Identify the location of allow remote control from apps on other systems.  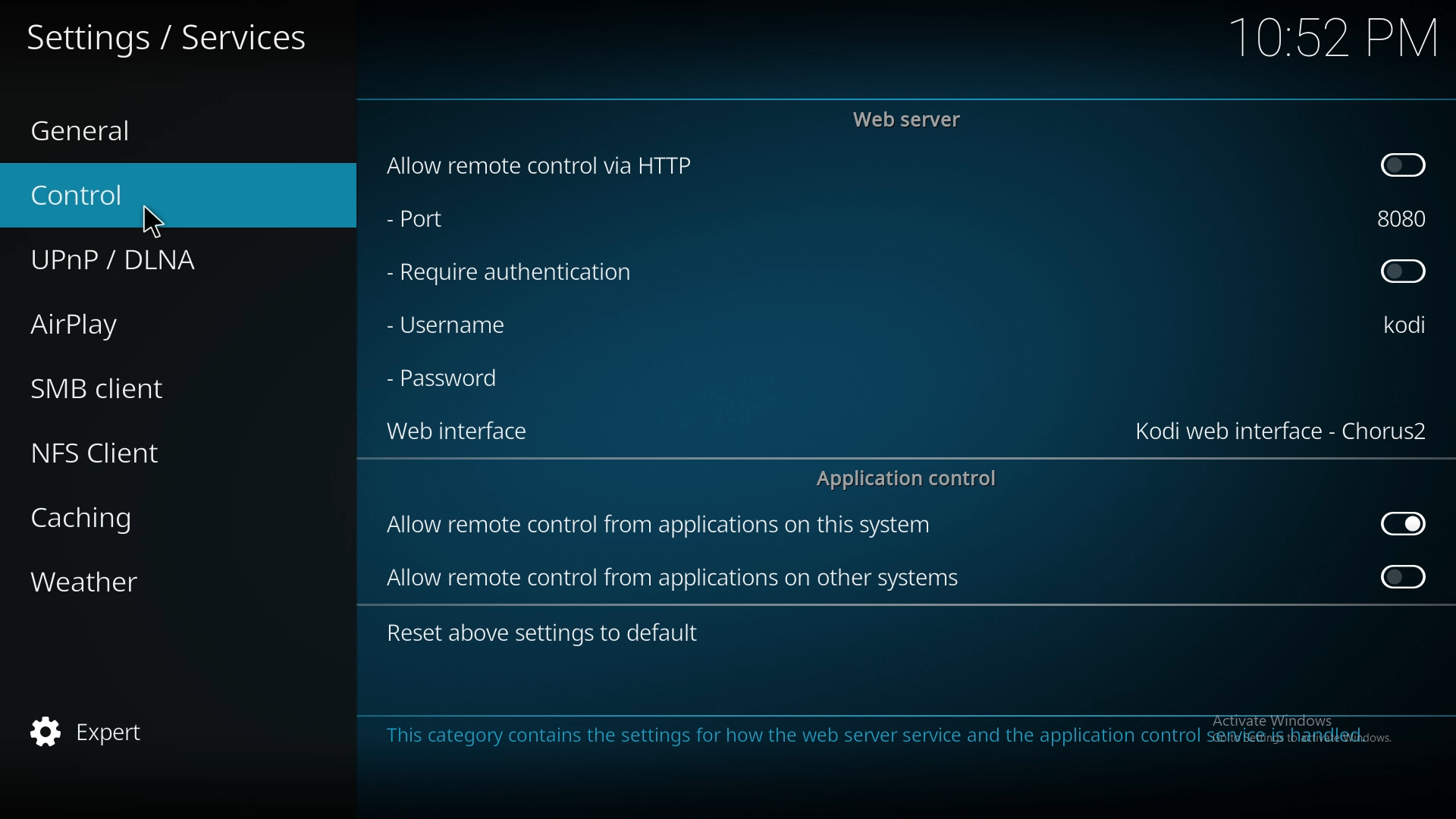
(676, 578).